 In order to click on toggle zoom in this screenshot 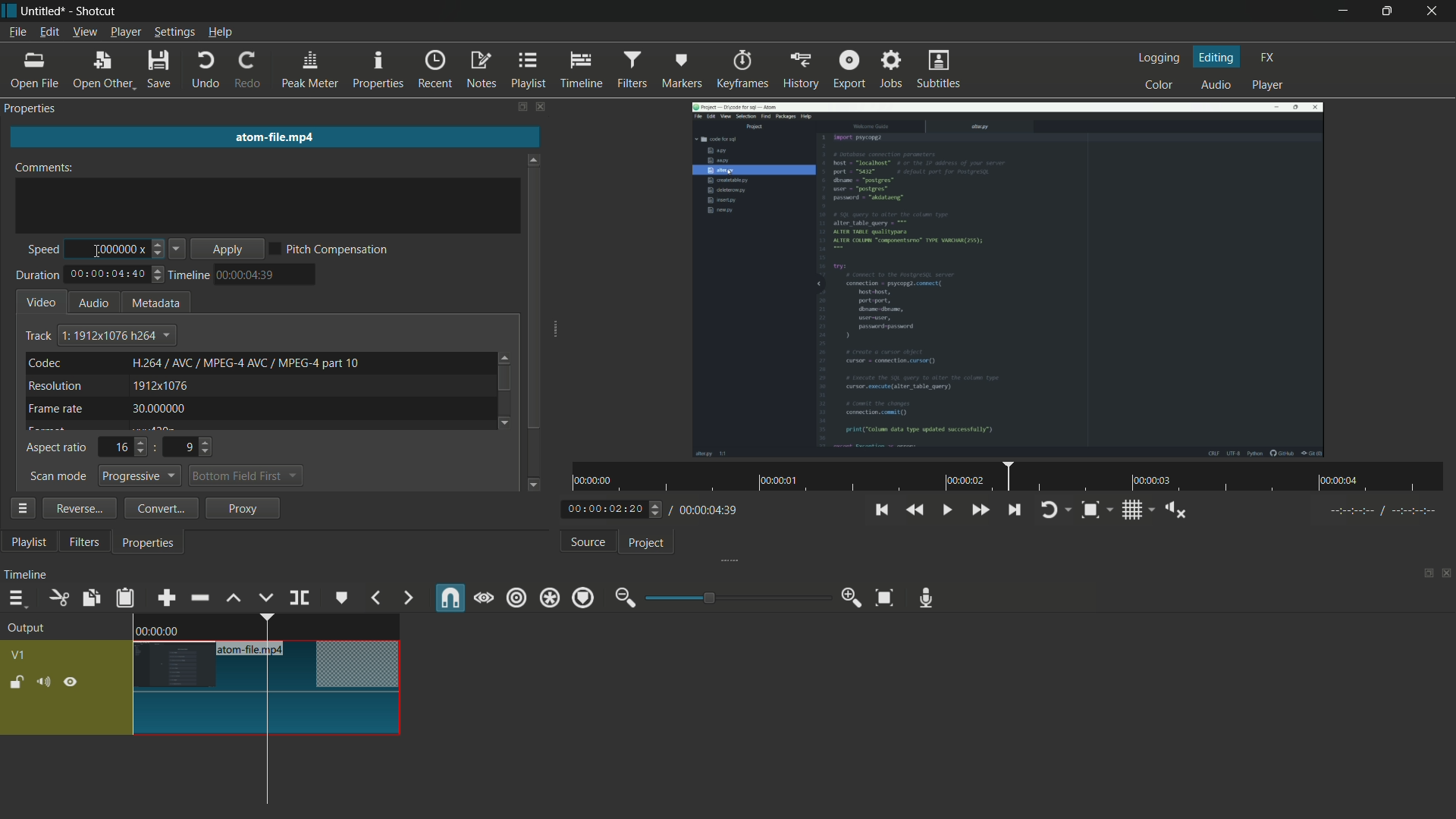, I will do `click(1093, 510)`.